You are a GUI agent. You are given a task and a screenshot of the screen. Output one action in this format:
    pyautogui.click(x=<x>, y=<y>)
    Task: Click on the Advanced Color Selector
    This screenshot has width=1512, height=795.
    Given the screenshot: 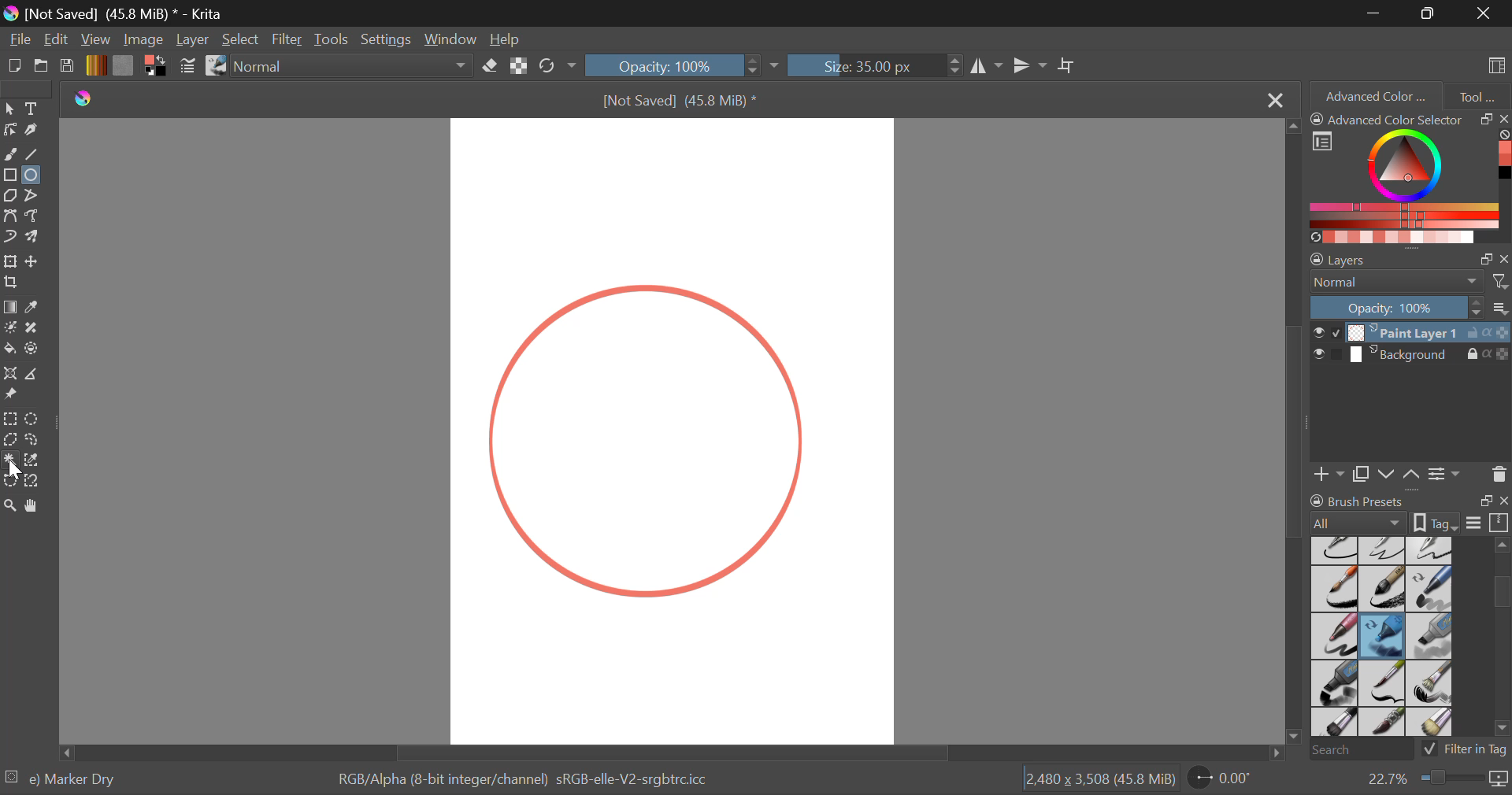 What is the action you would take?
    pyautogui.click(x=1410, y=177)
    